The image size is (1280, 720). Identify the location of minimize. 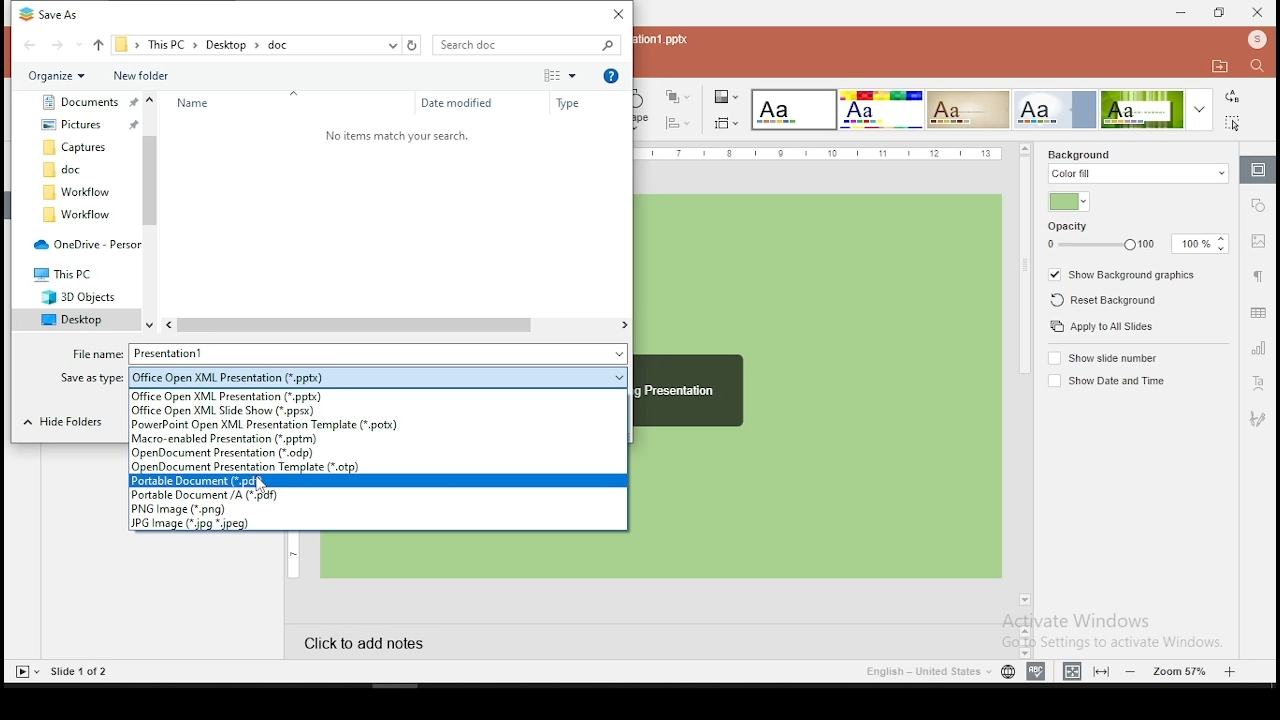
(1178, 12).